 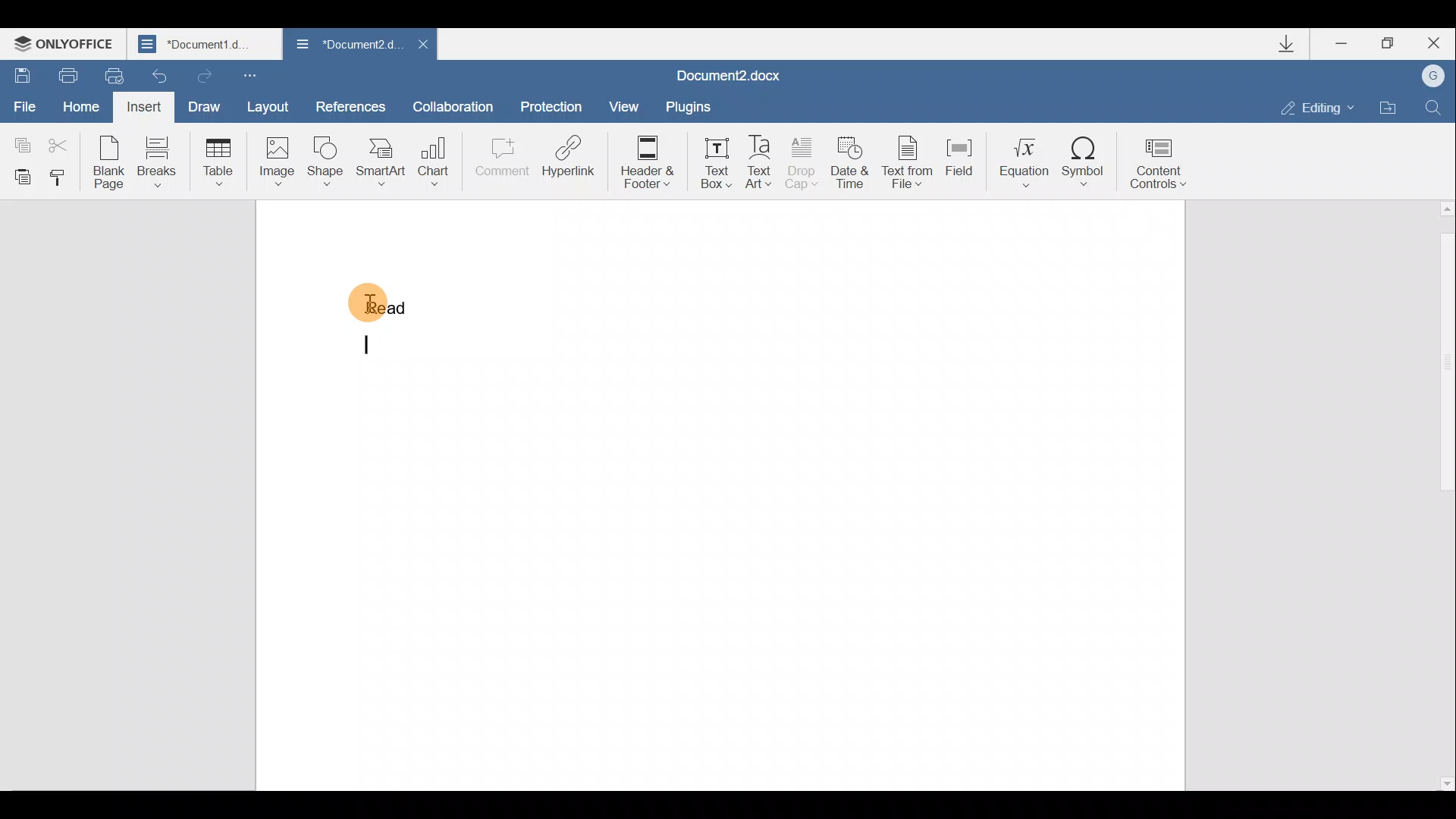 I want to click on Cut, so click(x=63, y=140).